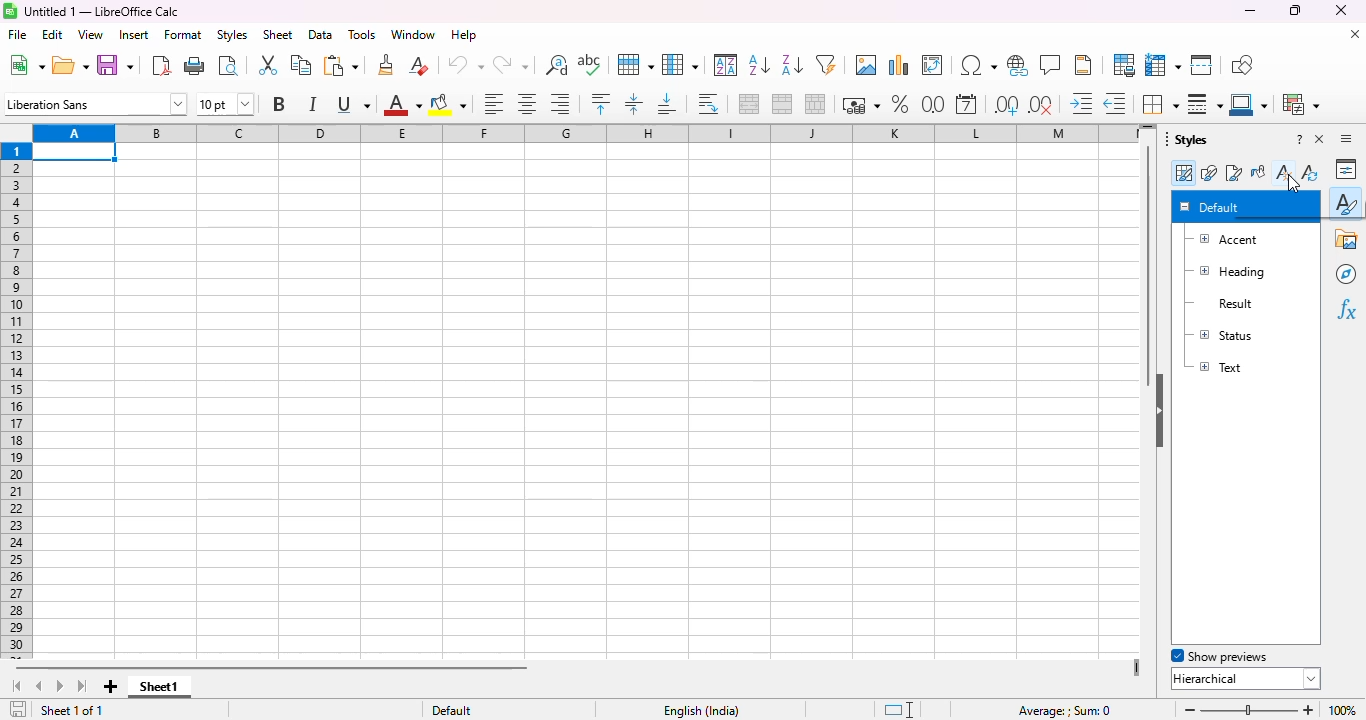 This screenshot has height=720, width=1366. Describe the element at coordinates (111, 687) in the screenshot. I see `add new sheet` at that location.